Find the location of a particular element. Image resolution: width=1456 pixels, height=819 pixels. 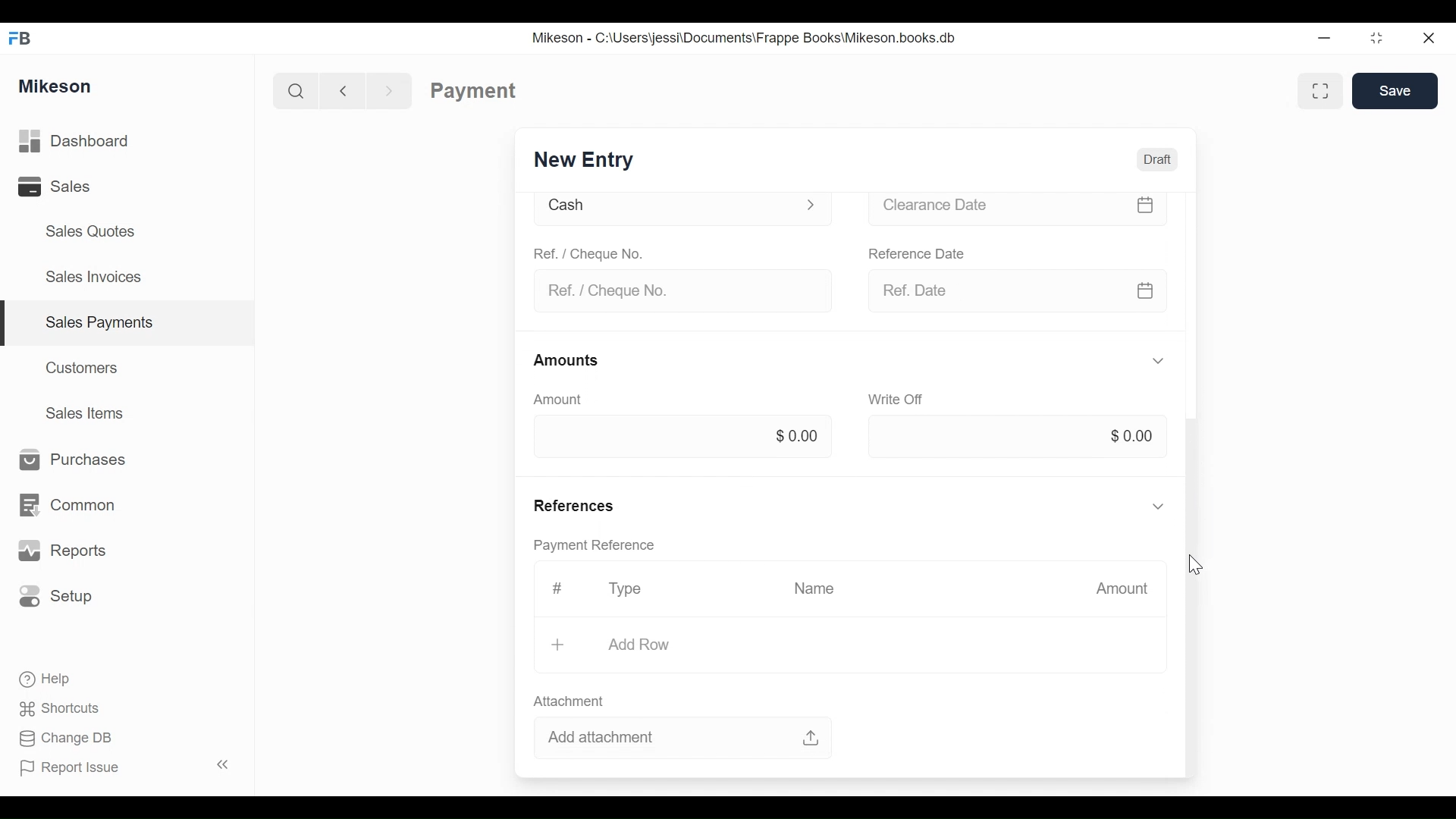

Change DB is located at coordinates (70, 739).